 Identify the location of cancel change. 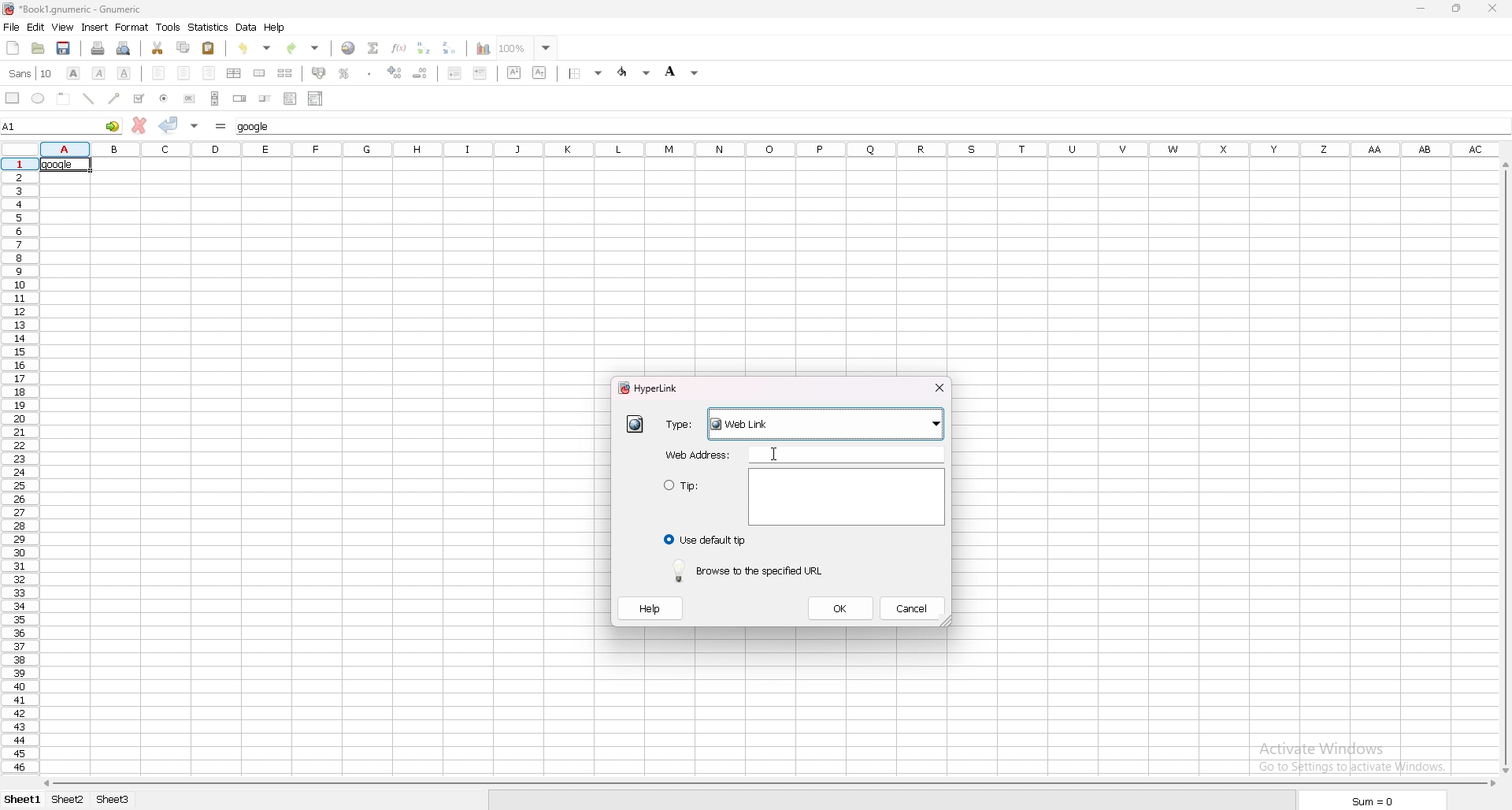
(139, 125).